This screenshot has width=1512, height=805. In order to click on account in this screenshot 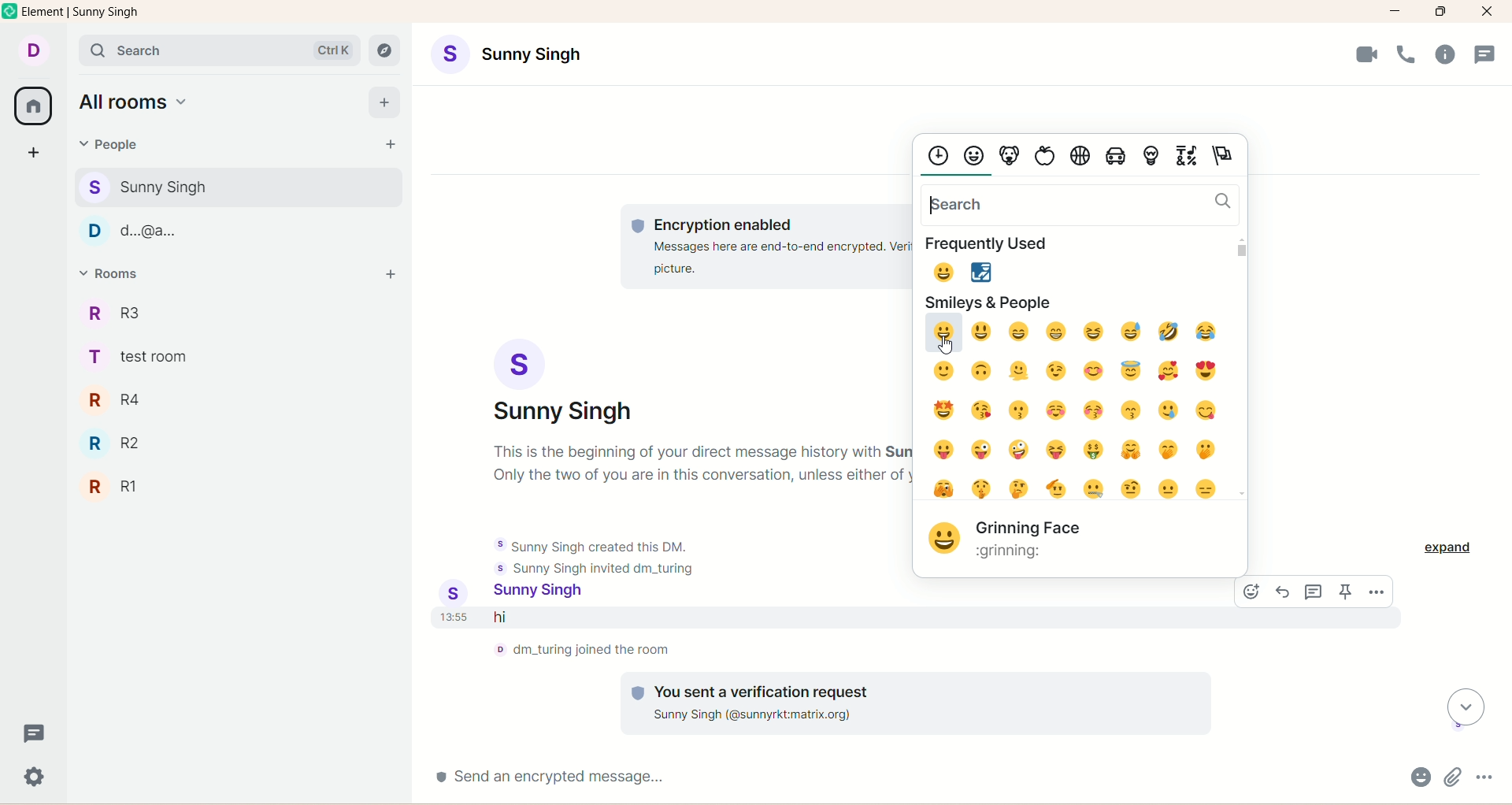, I will do `click(563, 382)`.